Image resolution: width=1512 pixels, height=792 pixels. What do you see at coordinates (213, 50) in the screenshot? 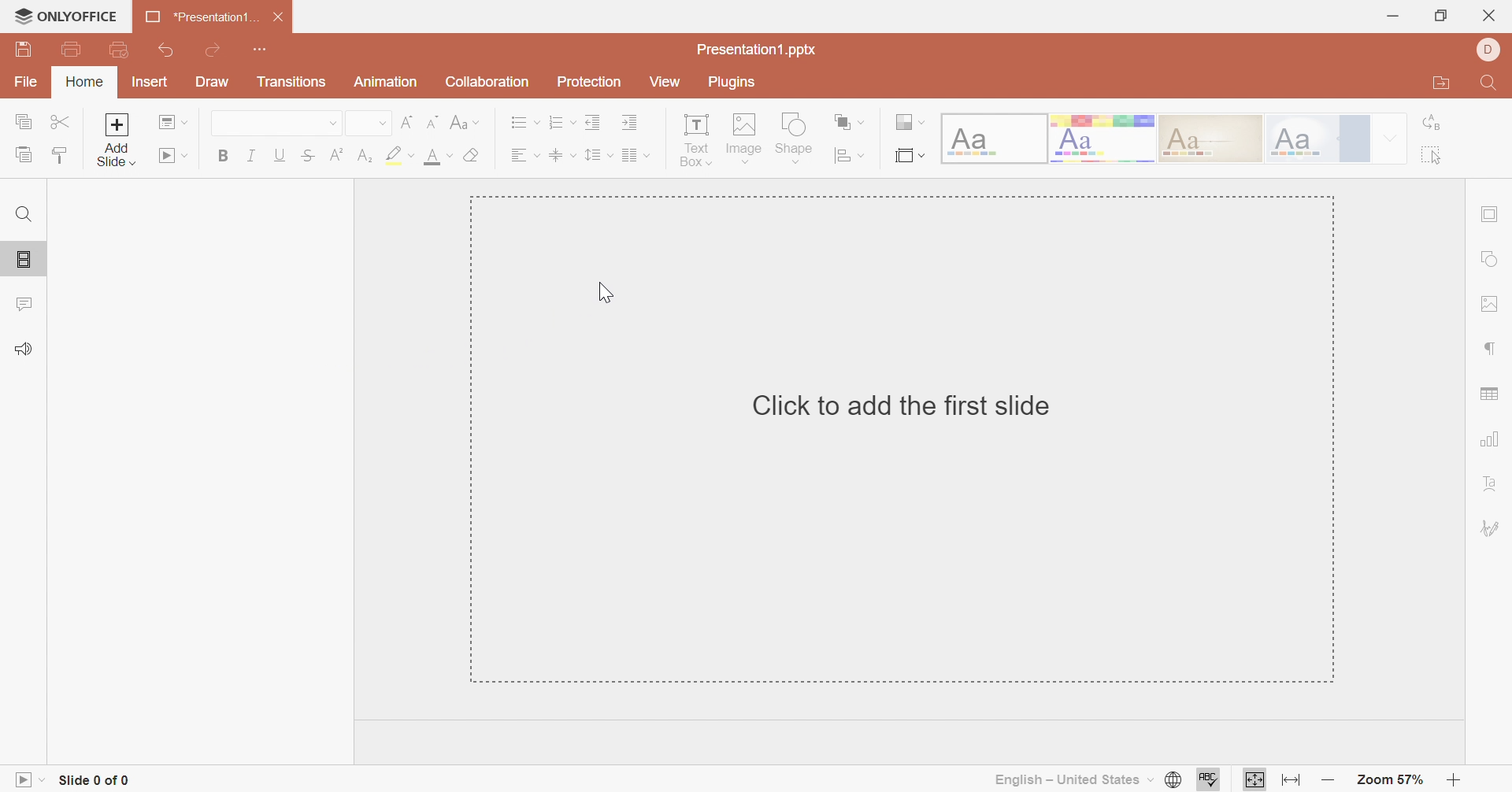
I see `Redo` at bounding box center [213, 50].